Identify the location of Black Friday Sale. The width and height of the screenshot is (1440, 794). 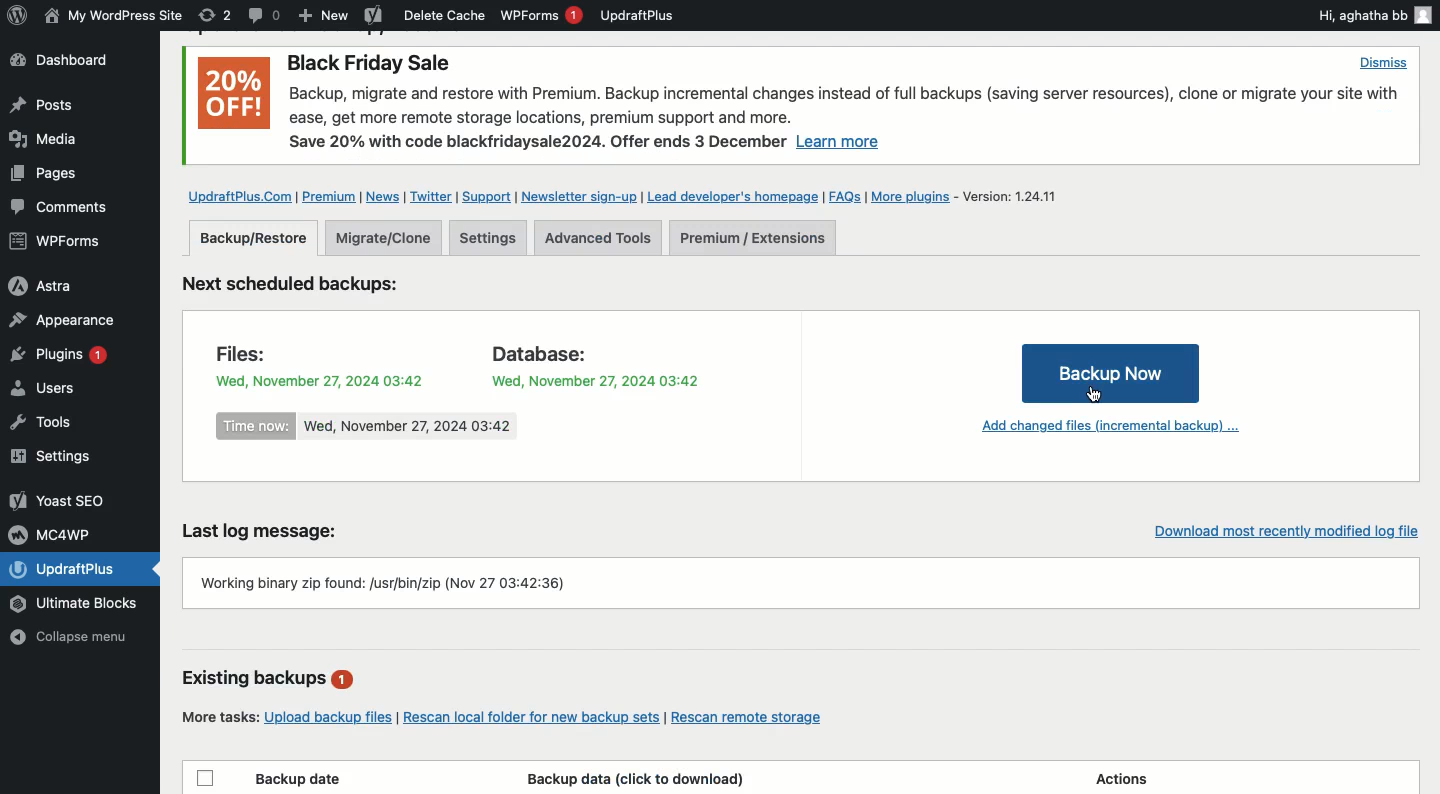
(371, 65).